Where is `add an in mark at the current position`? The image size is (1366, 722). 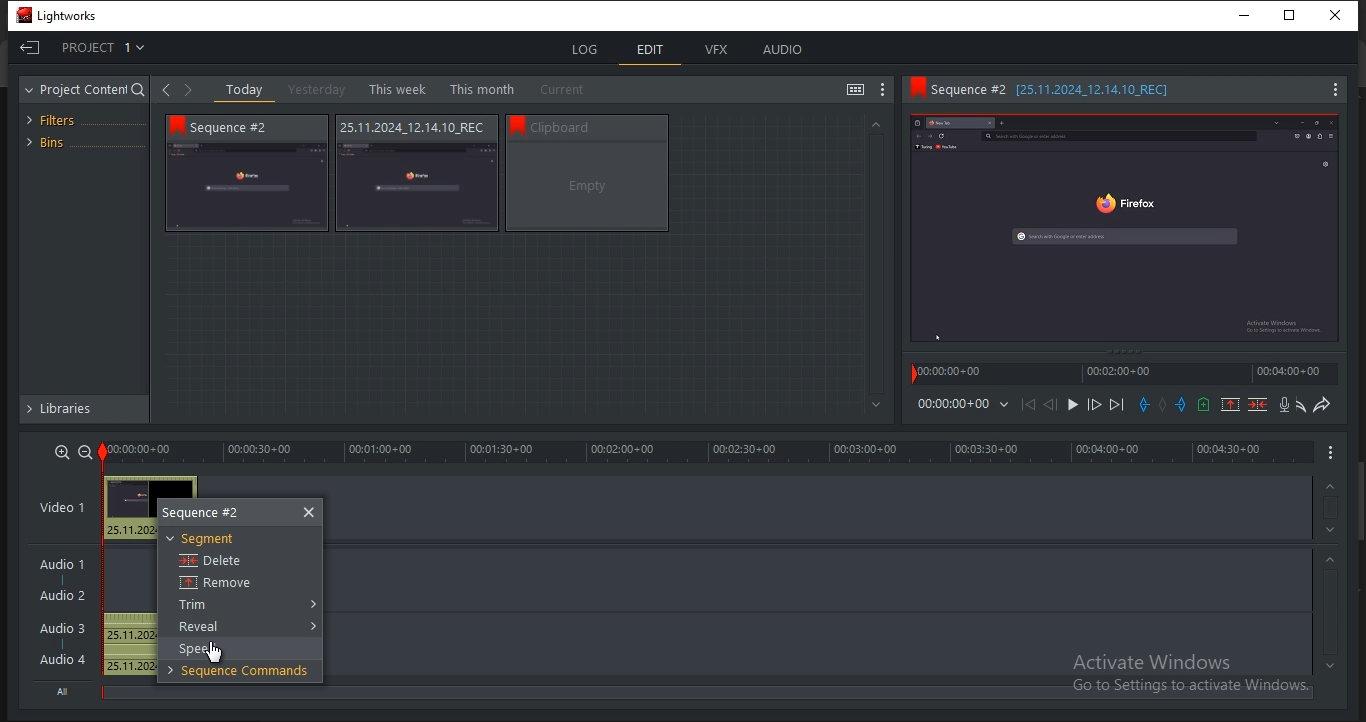
add an in mark at the current position is located at coordinates (1144, 406).